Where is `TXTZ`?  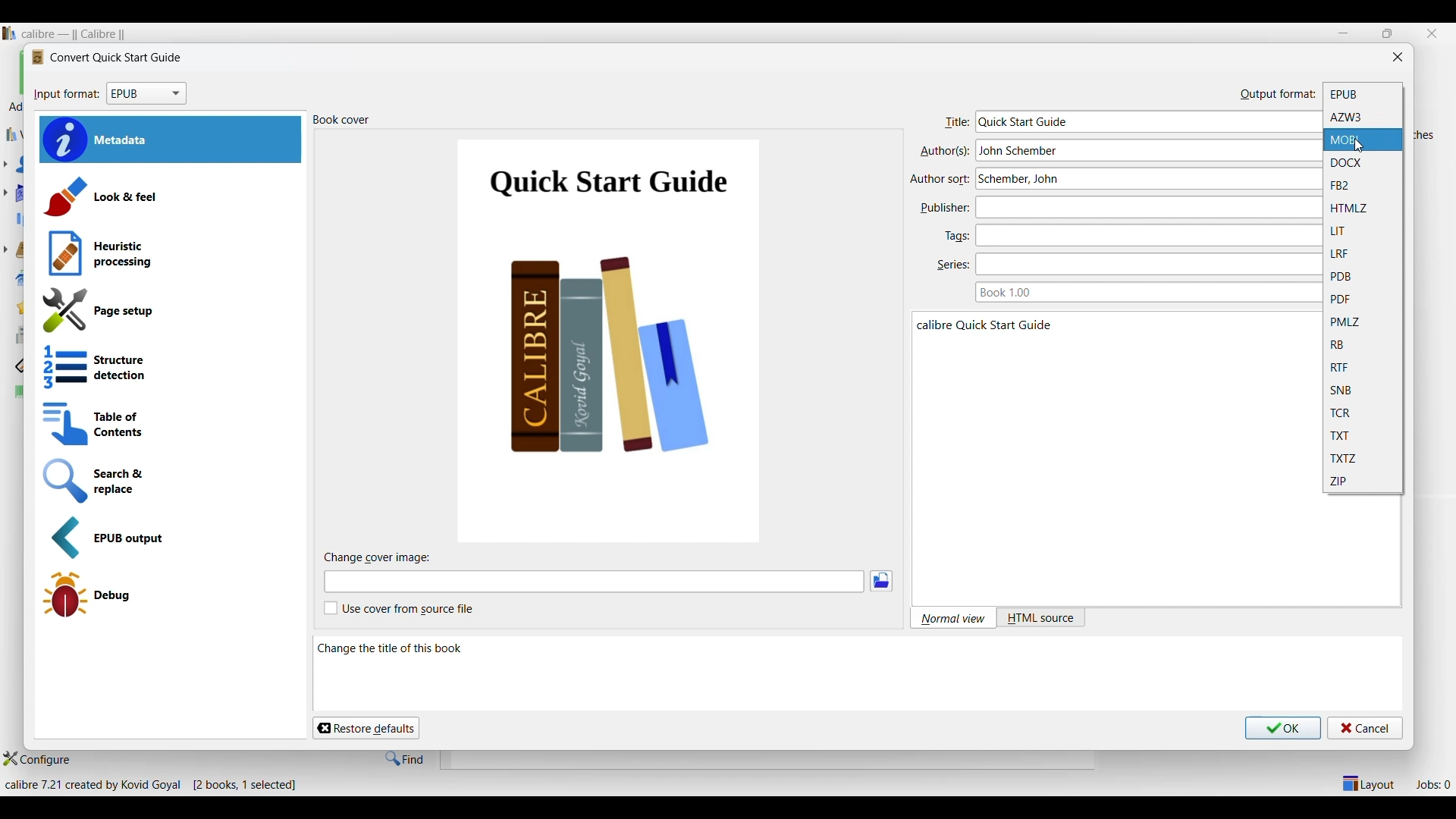
TXTZ is located at coordinates (1363, 459).